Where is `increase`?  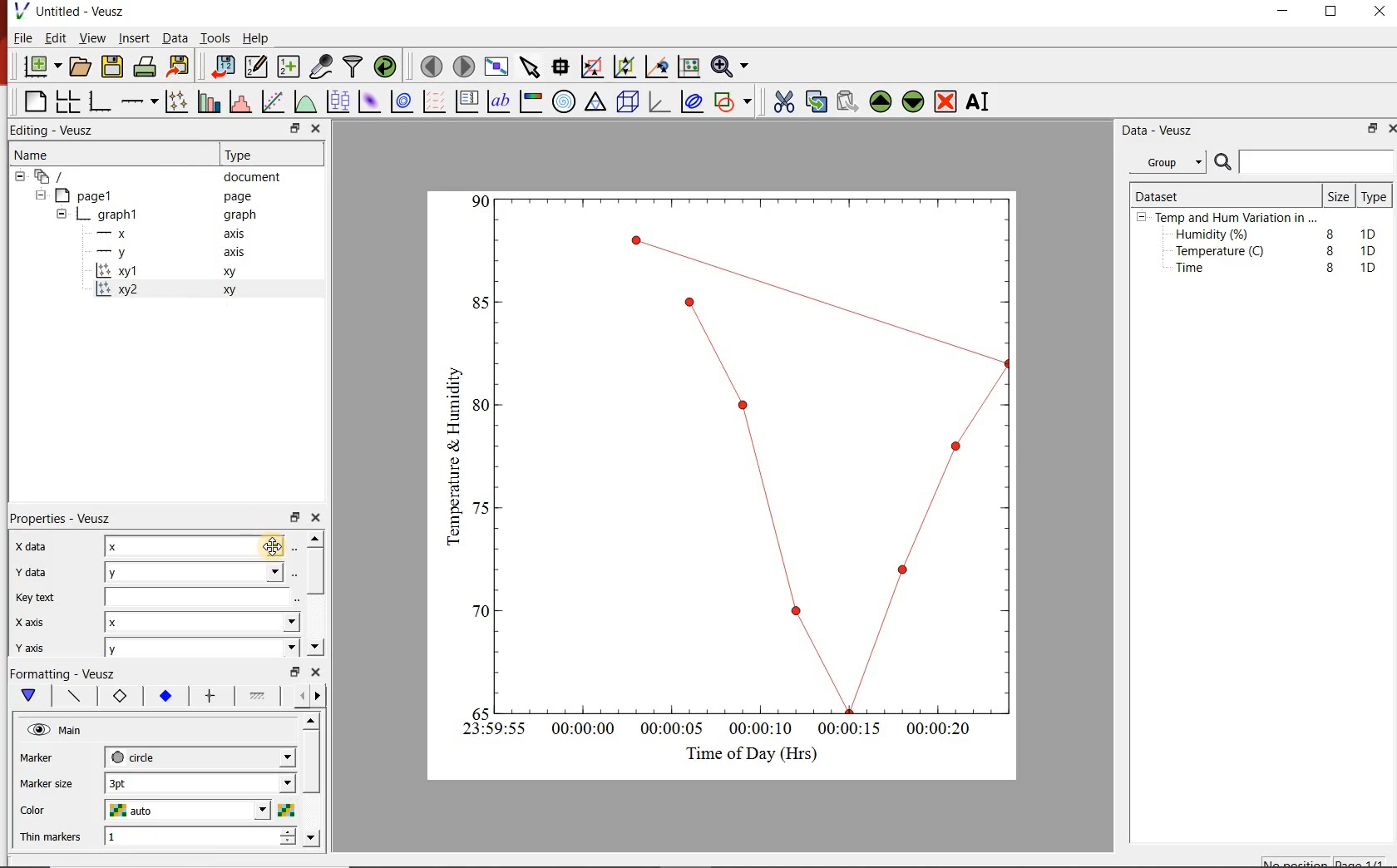 increase is located at coordinates (287, 833).